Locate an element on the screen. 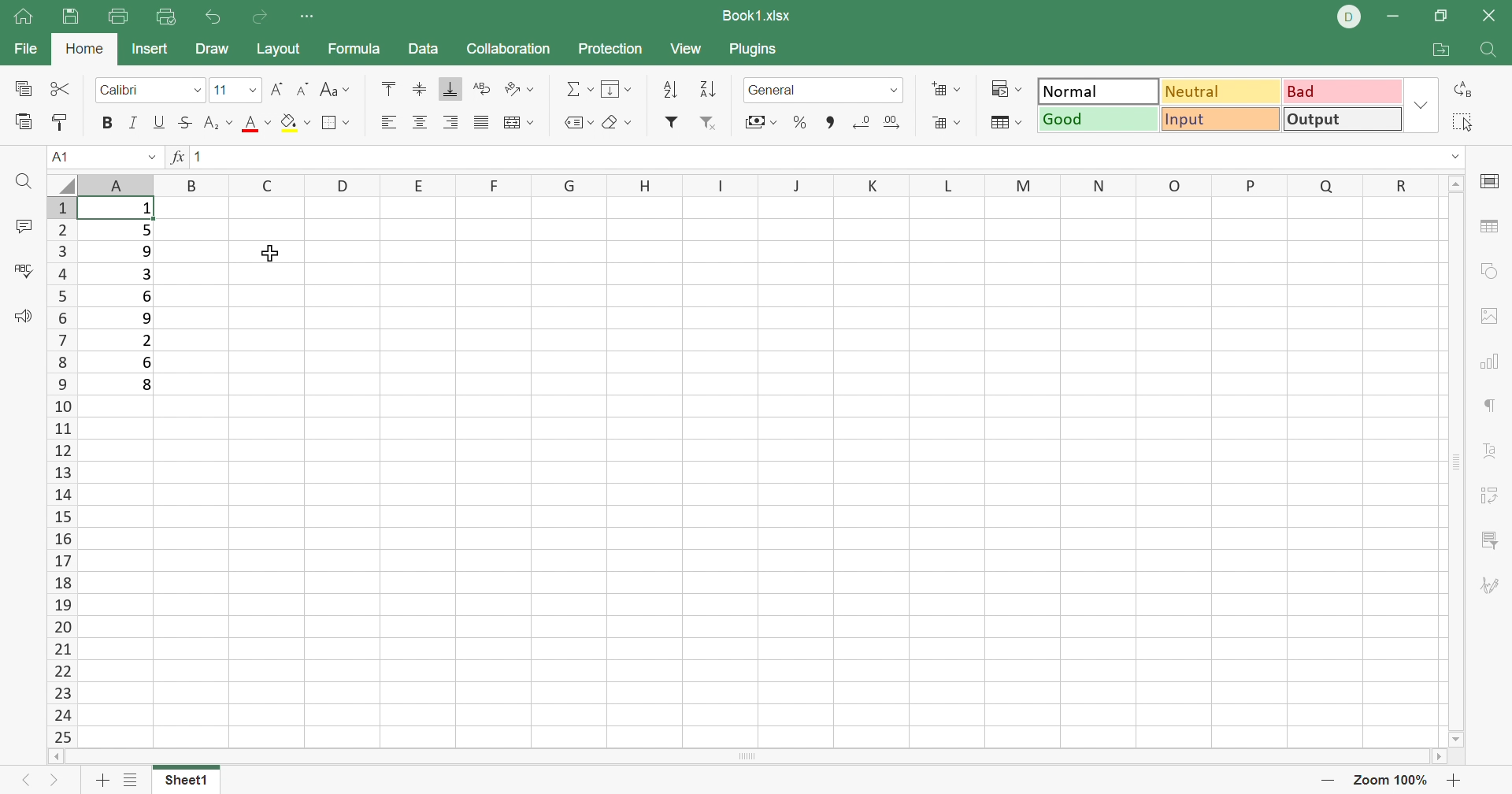 The height and width of the screenshot is (794, 1512). Fil color is located at coordinates (294, 122).